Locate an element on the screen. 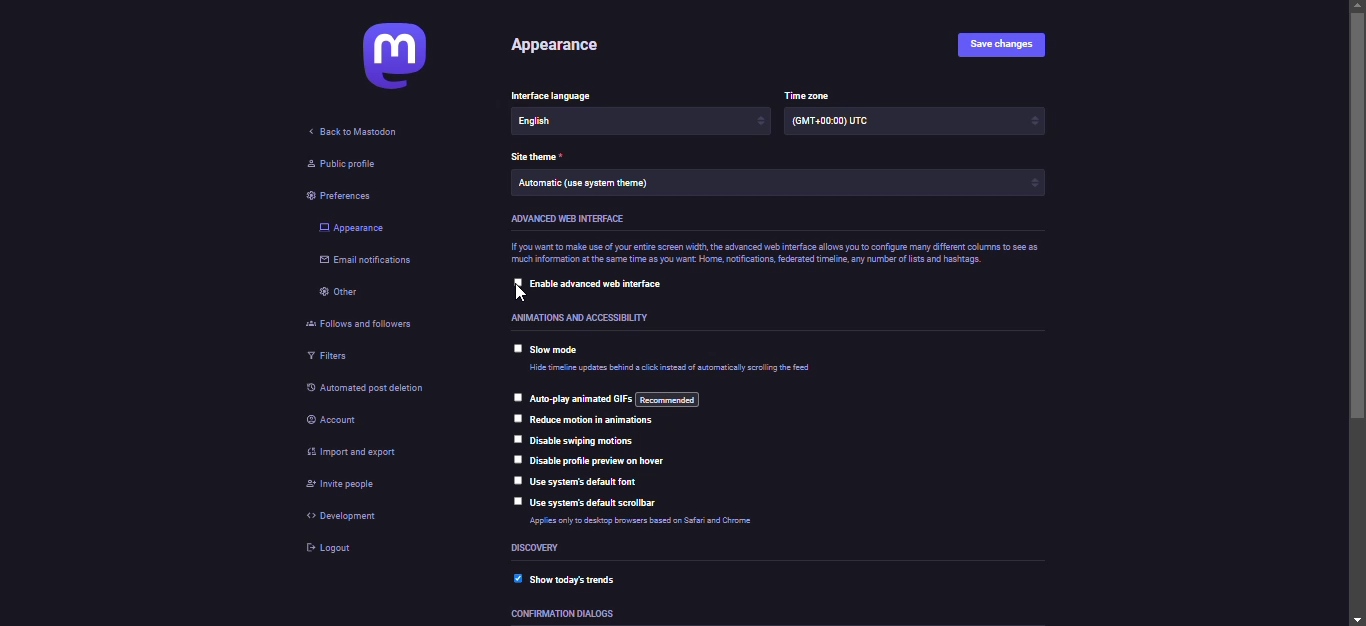 The image size is (1366, 626). other is located at coordinates (341, 293).